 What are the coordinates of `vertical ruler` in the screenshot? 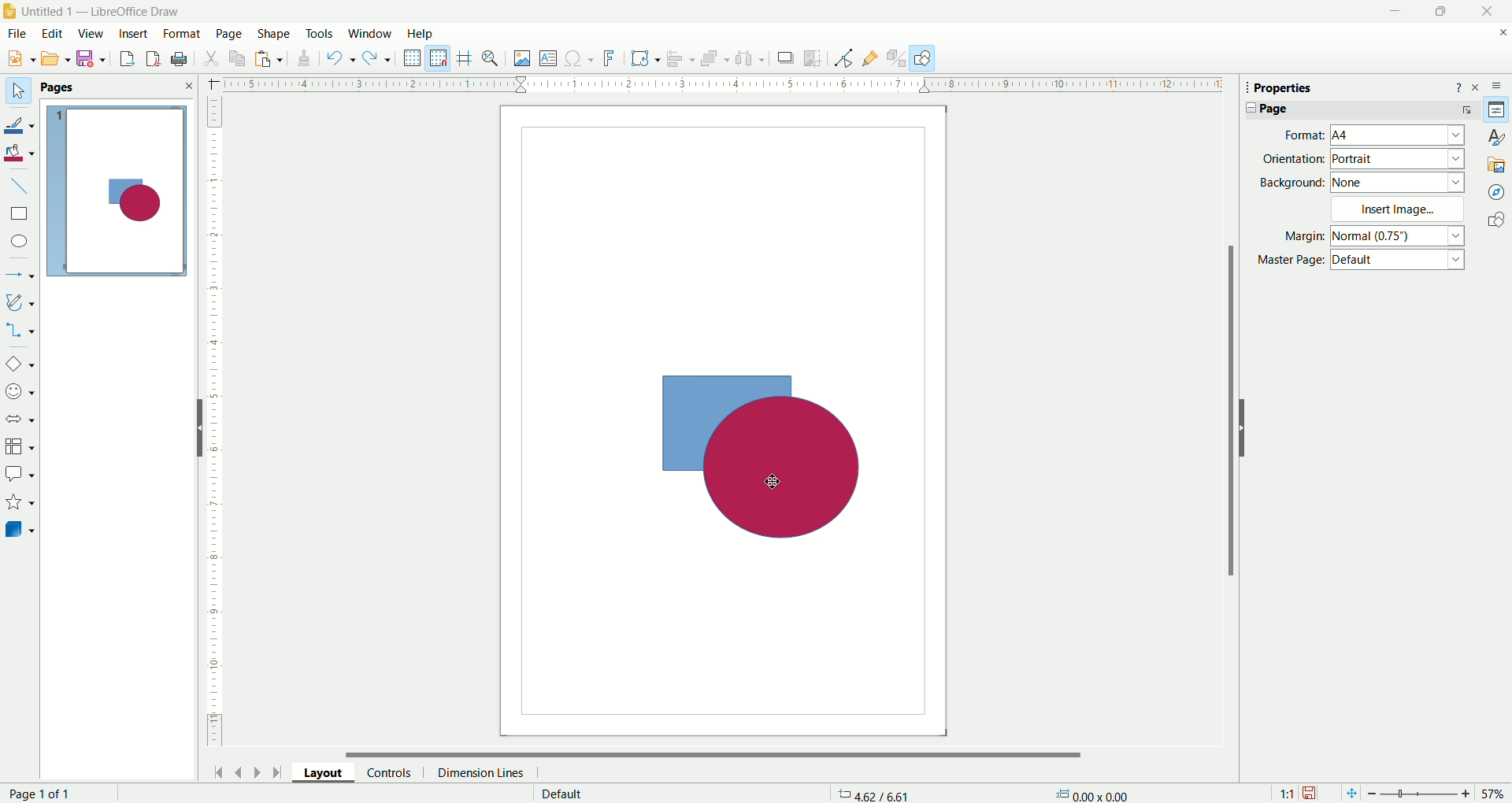 It's located at (214, 423).